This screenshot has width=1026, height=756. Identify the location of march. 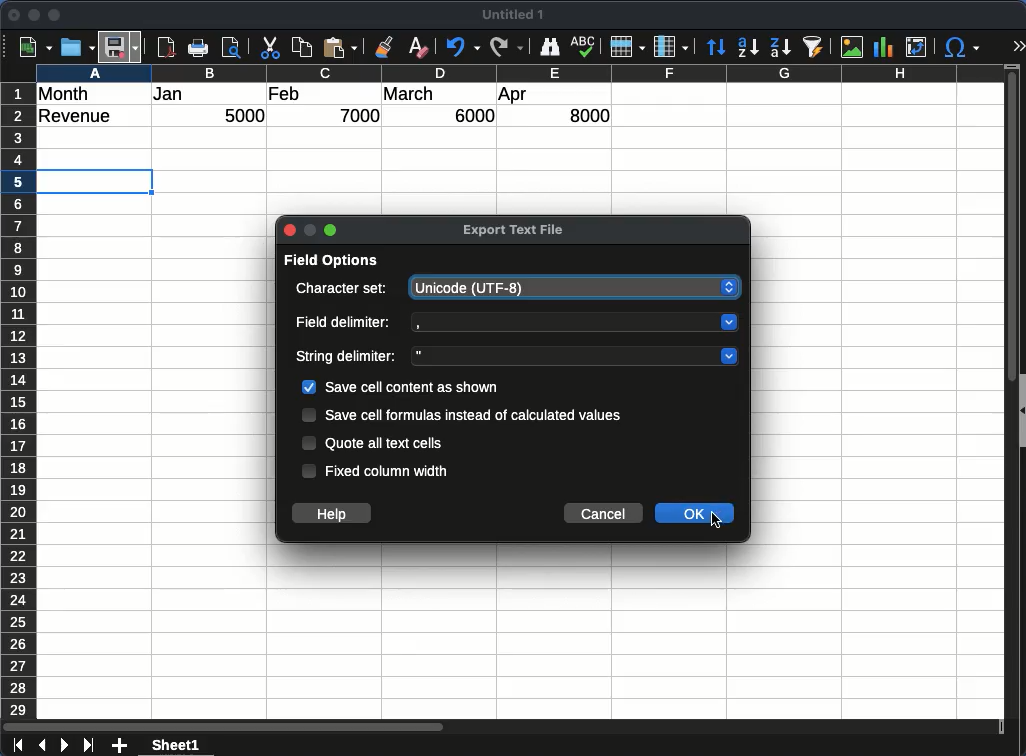
(409, 94).